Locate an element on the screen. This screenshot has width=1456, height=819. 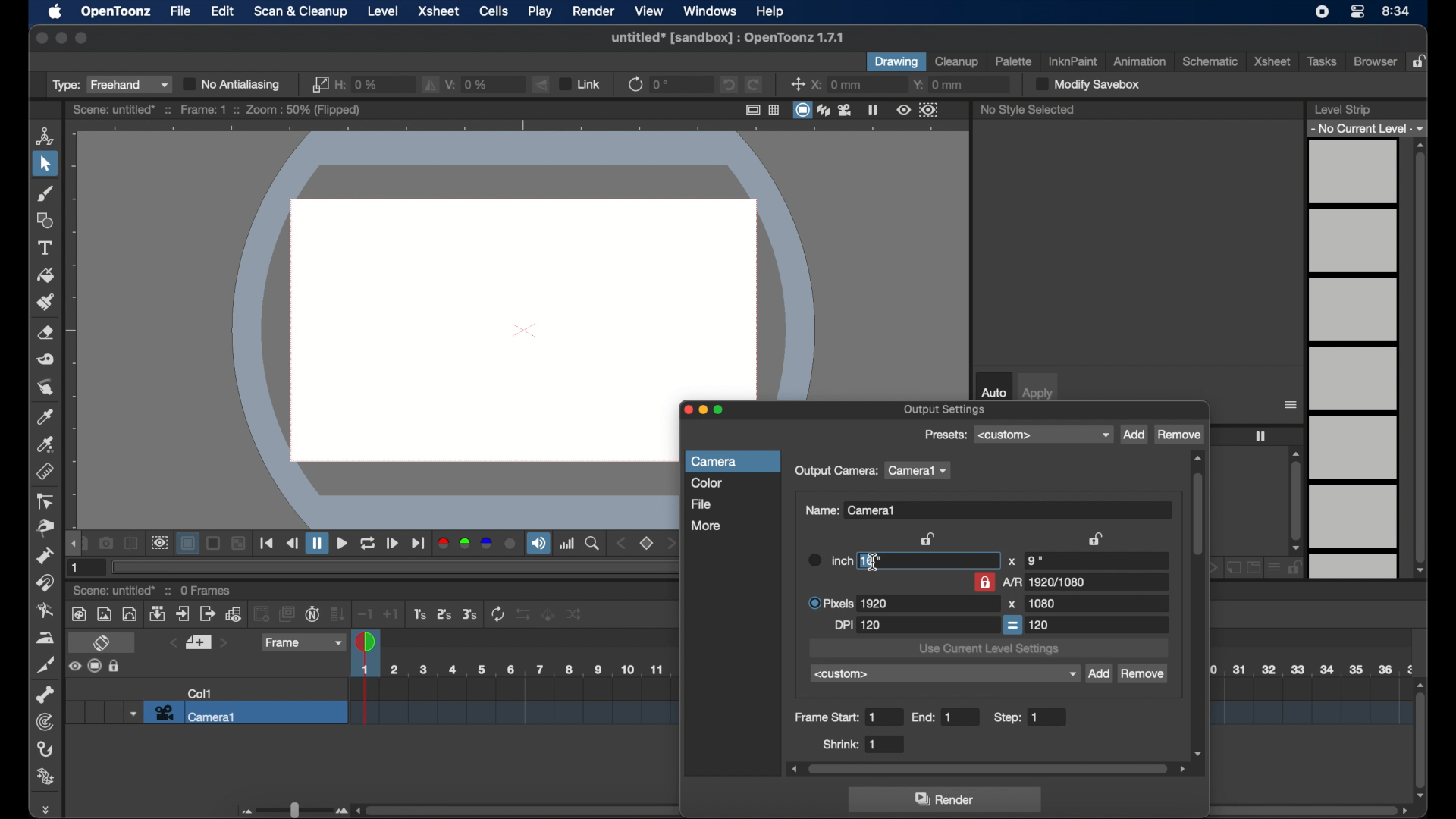
close is located at coordinates (685, 412).